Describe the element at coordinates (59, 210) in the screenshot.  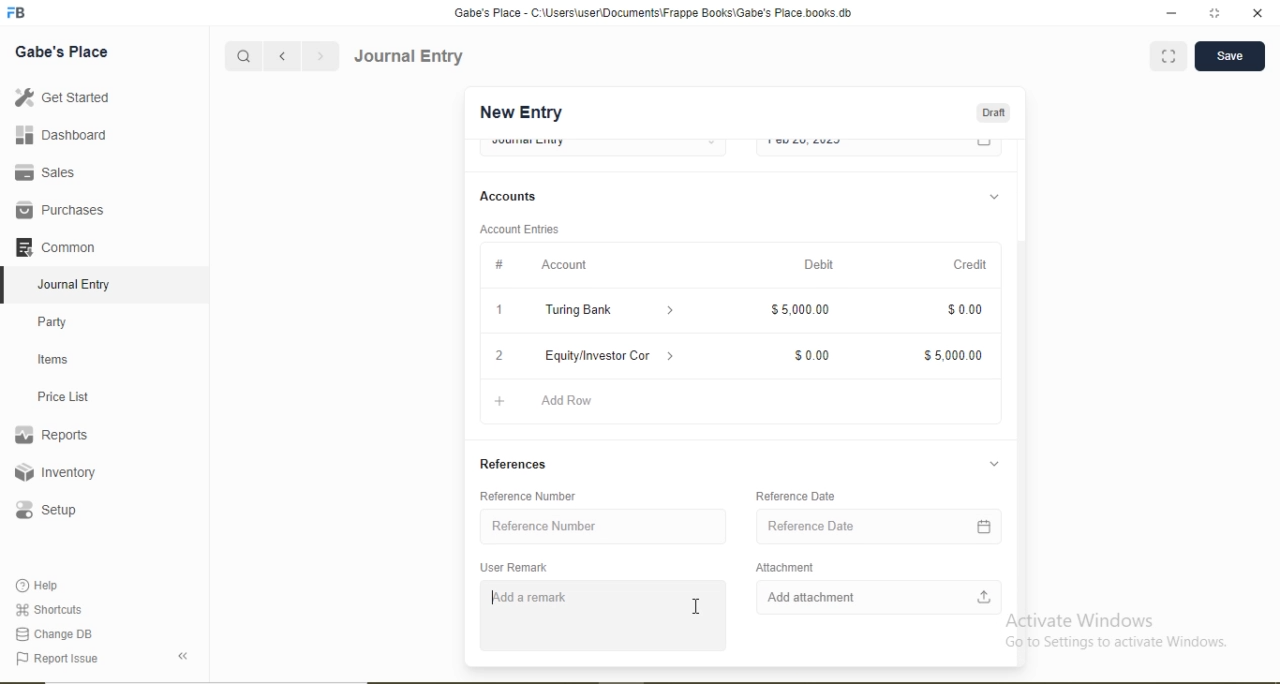
I see `Purchases` at that location.